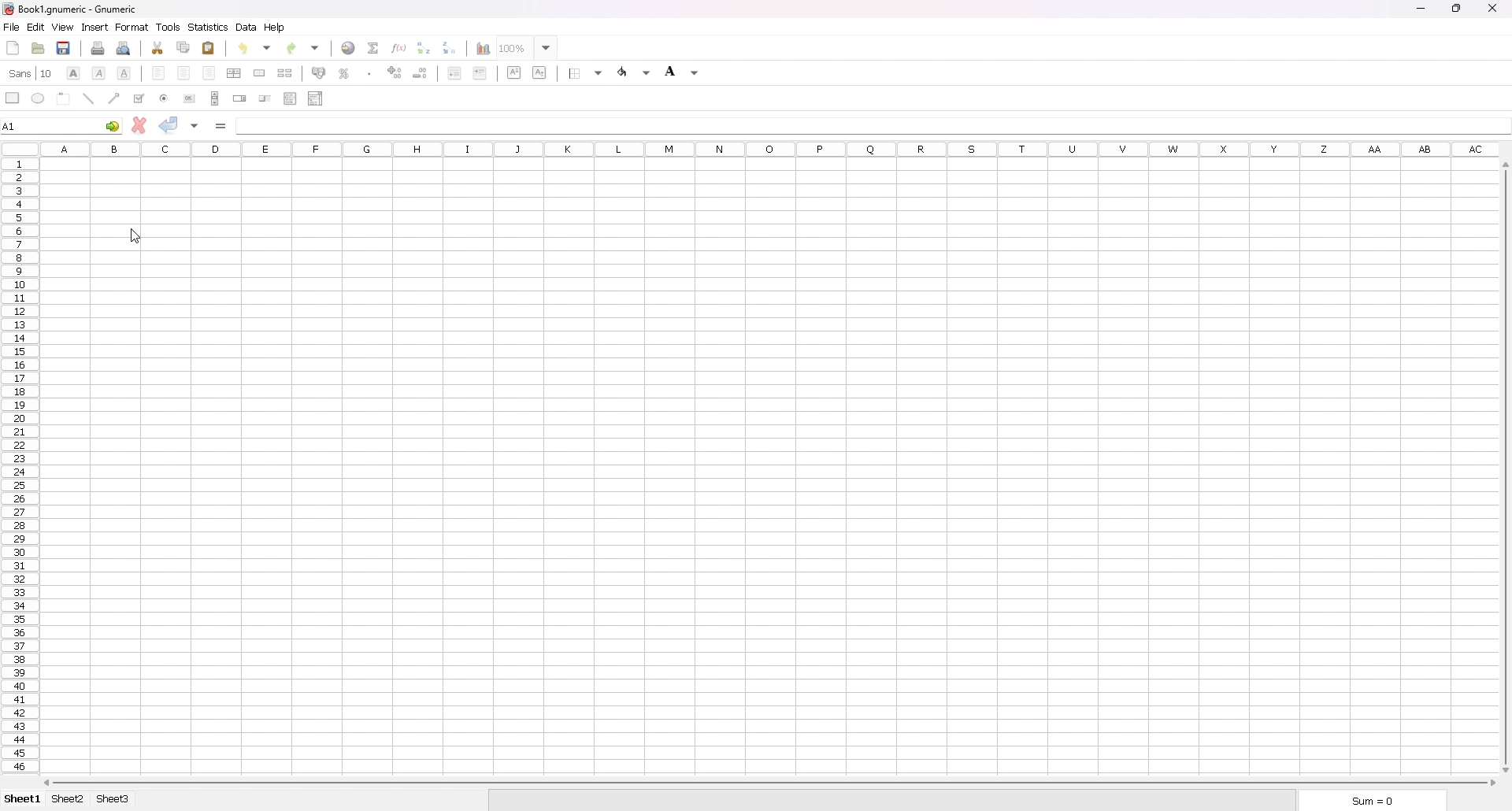 The height and width of the screenshot is (811, 1512). Describe the element at coordinates (197, 126) in the screenshot. I see `accept changes in all cells` at that location.